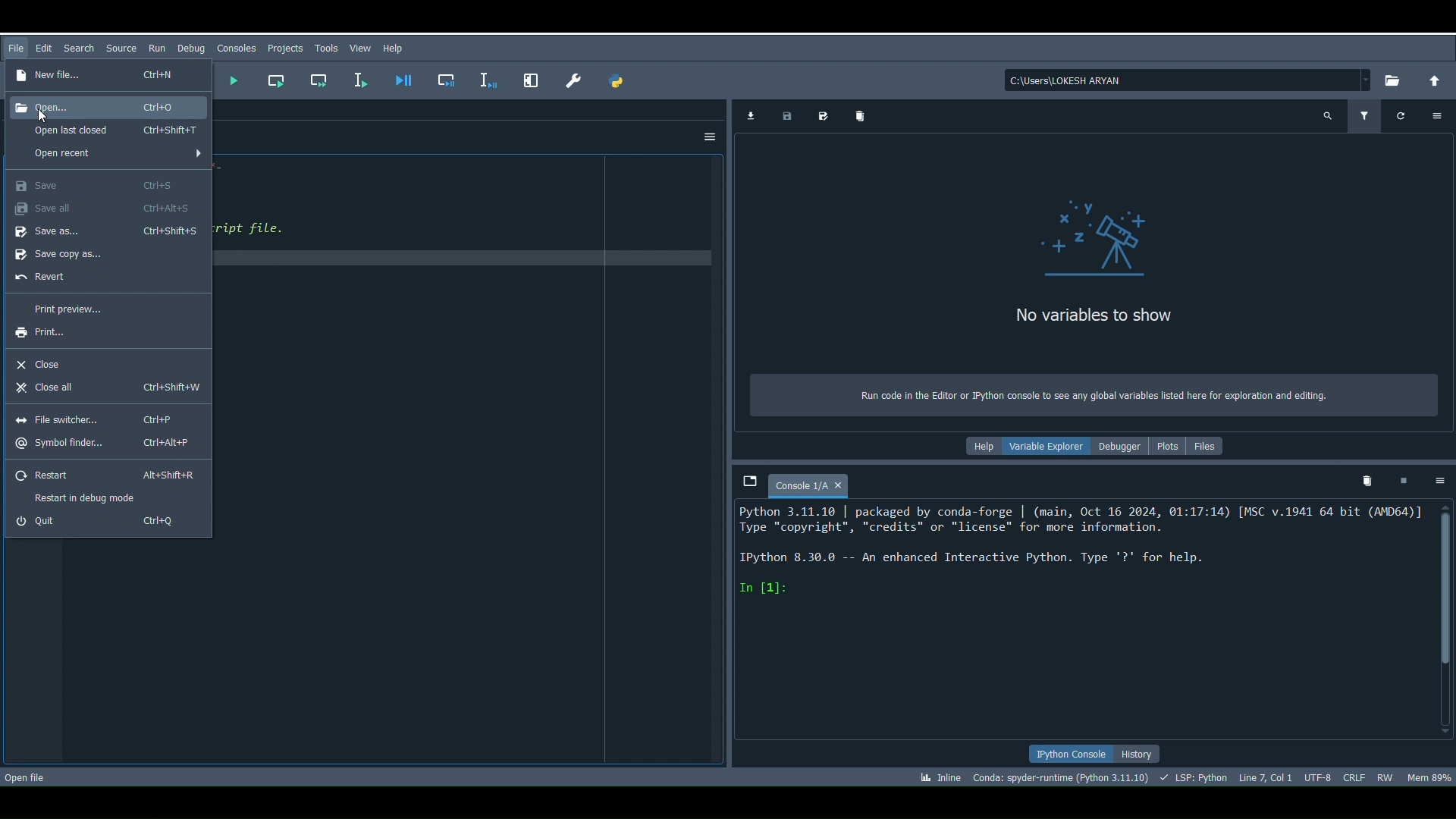 This screenshot has height=819, width=1456. I want to click on Refresh variables (Ctrl + R), so click(1397, 117).